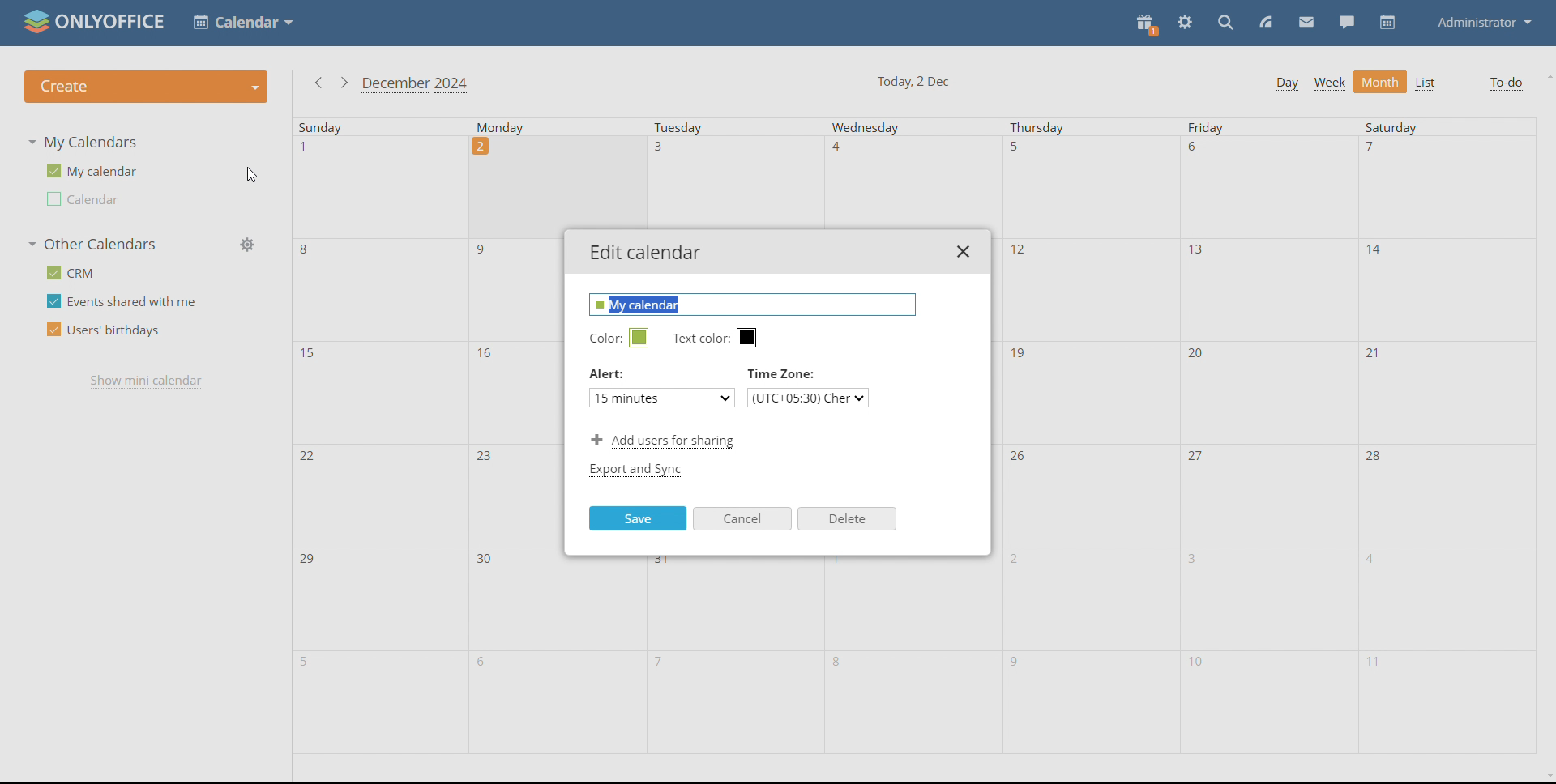  Describe the element at coordinates (636, 518) in the screenshot. I see `save` at that location.